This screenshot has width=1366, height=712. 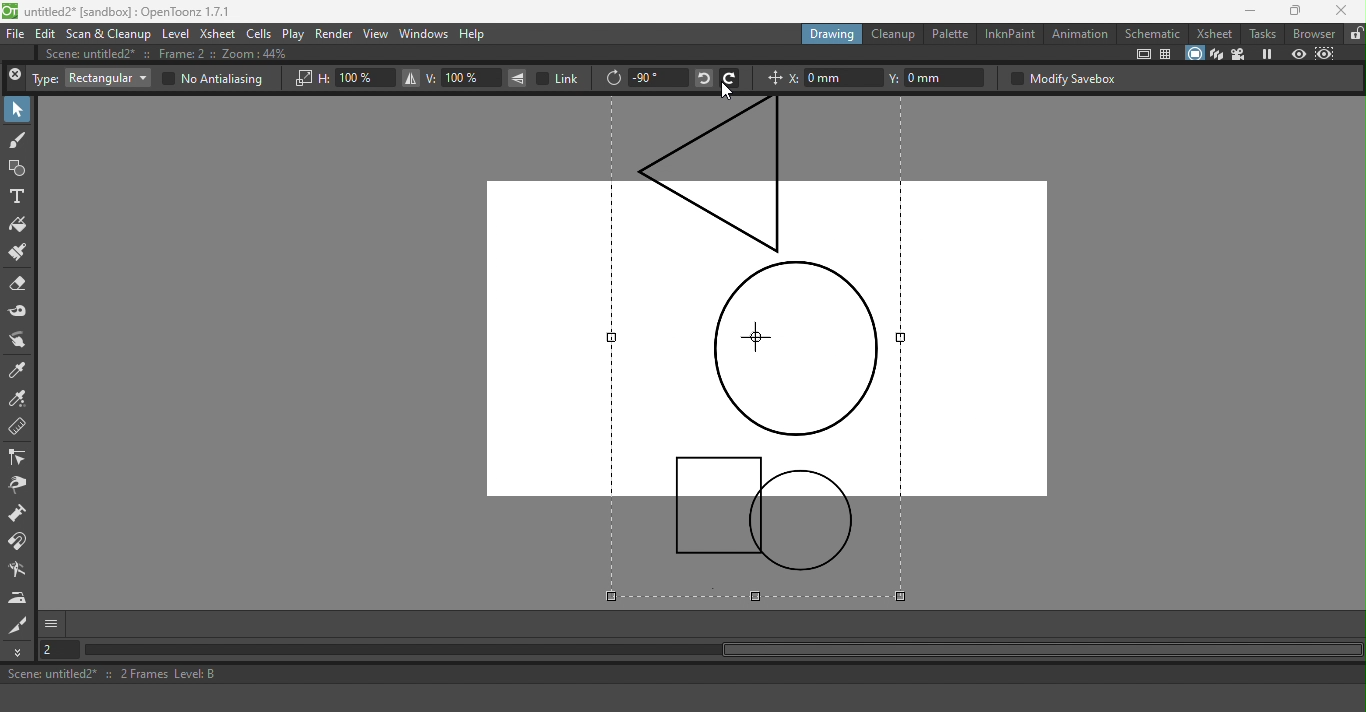 I want to click on Cleanup, so click(x=894, y=34).